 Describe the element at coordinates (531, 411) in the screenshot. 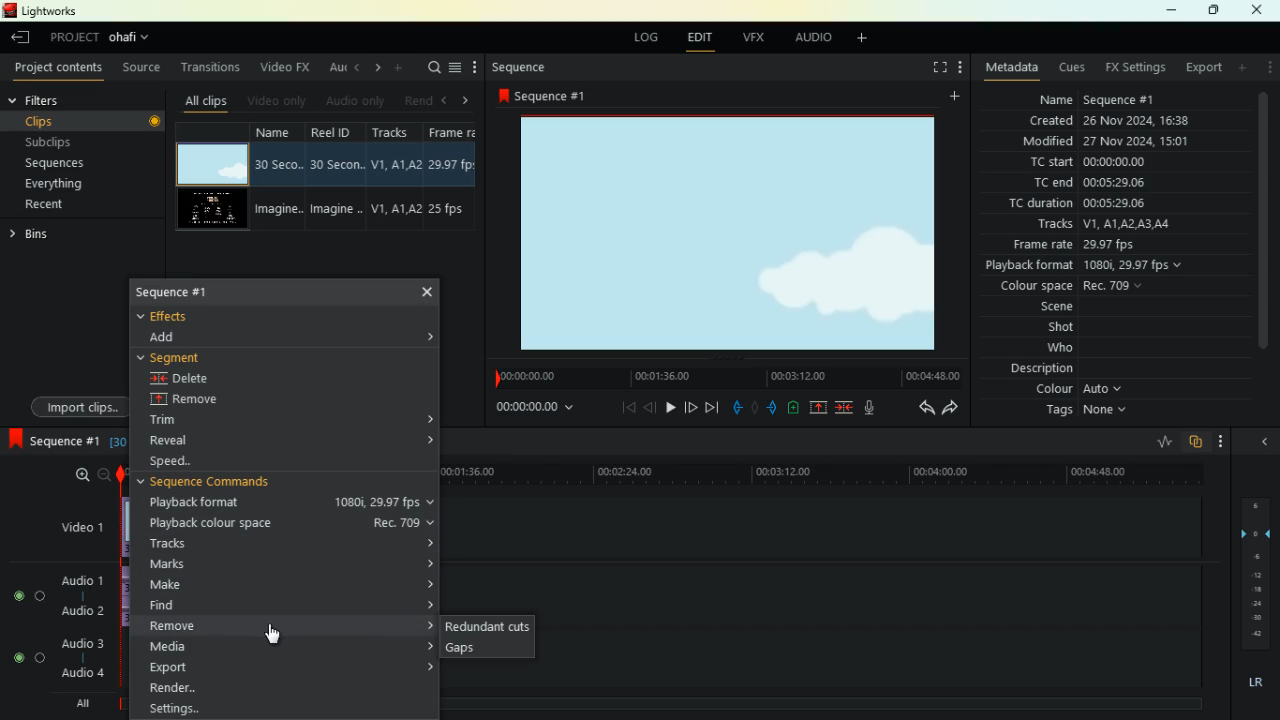

I see `00:00:00:00` at that location.